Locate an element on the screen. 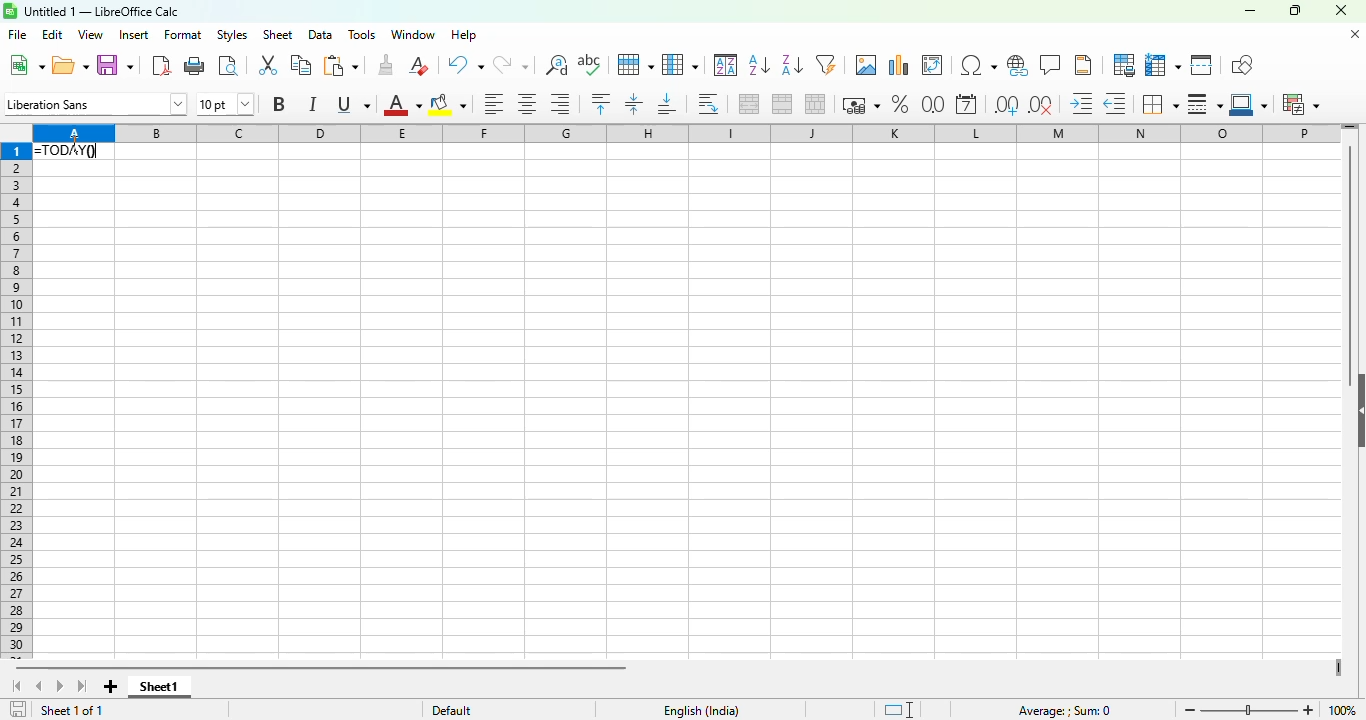 The width and height of the screenshot is (1366, 720). font size is located at coordinates (224, 103).